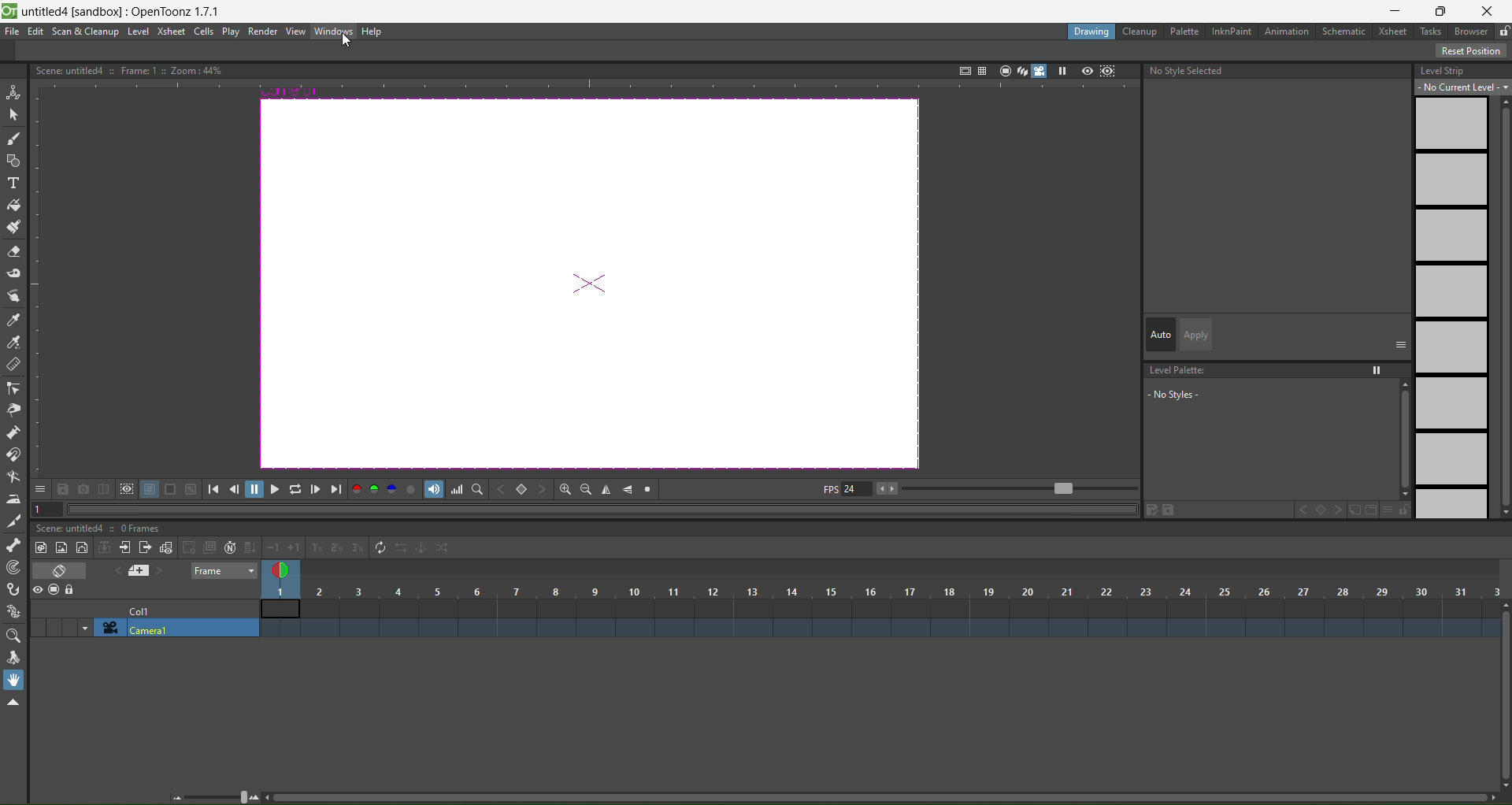 The image size is (1512, 805). What do you see at coordinates (13, 499) in the screenshot?
I see `iron tool` at bounding box center [13, 499].